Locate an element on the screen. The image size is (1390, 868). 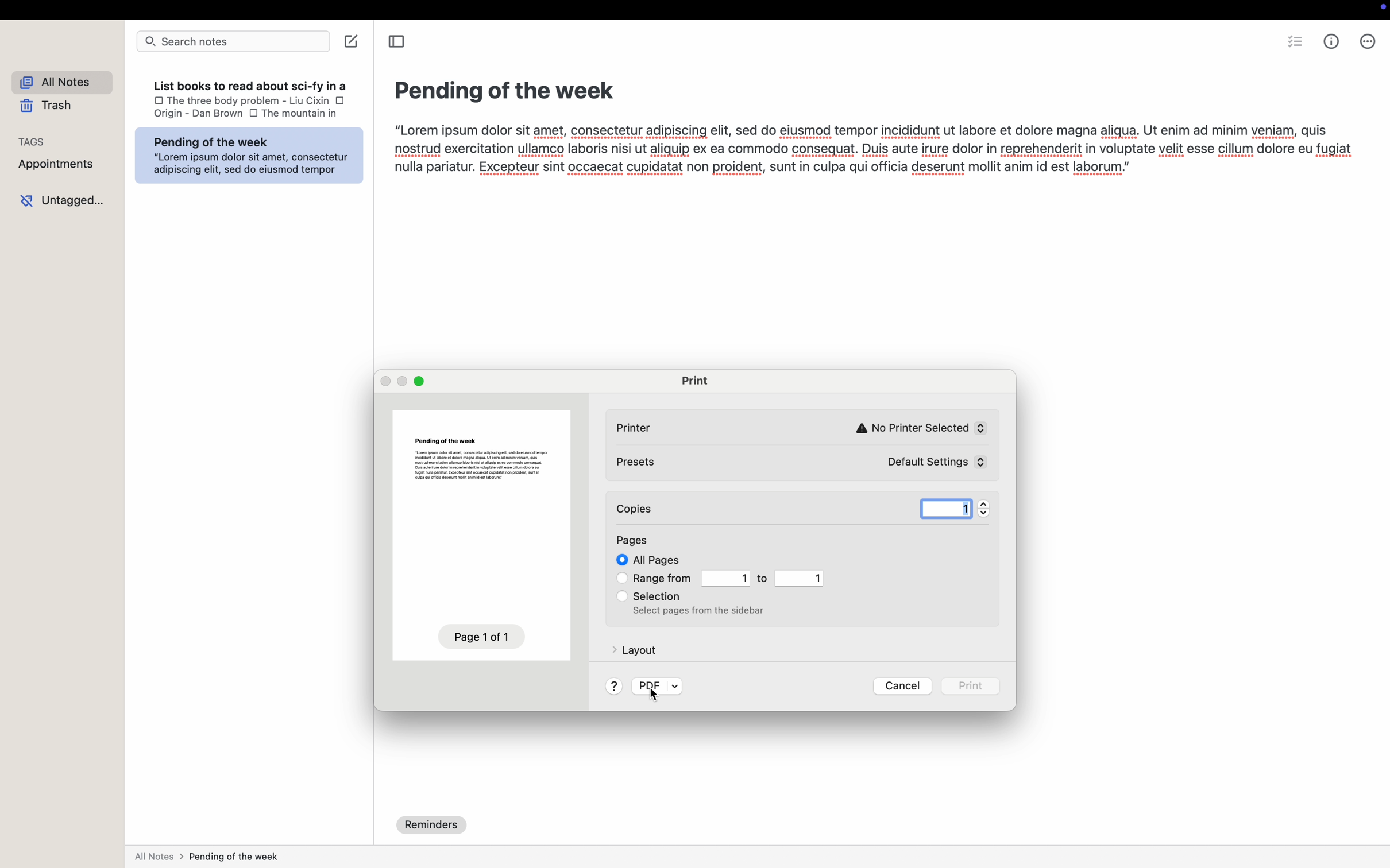
Pending of the week

Lorem pam dso ok amt, conscience, ec do sd wrpor
Incr tlaor f Gs gn ka. Ut eo i vera, ae
osu ckaton ano abort hl xo ono const.
2d re dr prhende Ive vl a cha dors 60
kt lpr. xc a acest upton rE,
ko qu fc dest ot annie bon” is located at coordinates (477, 457).